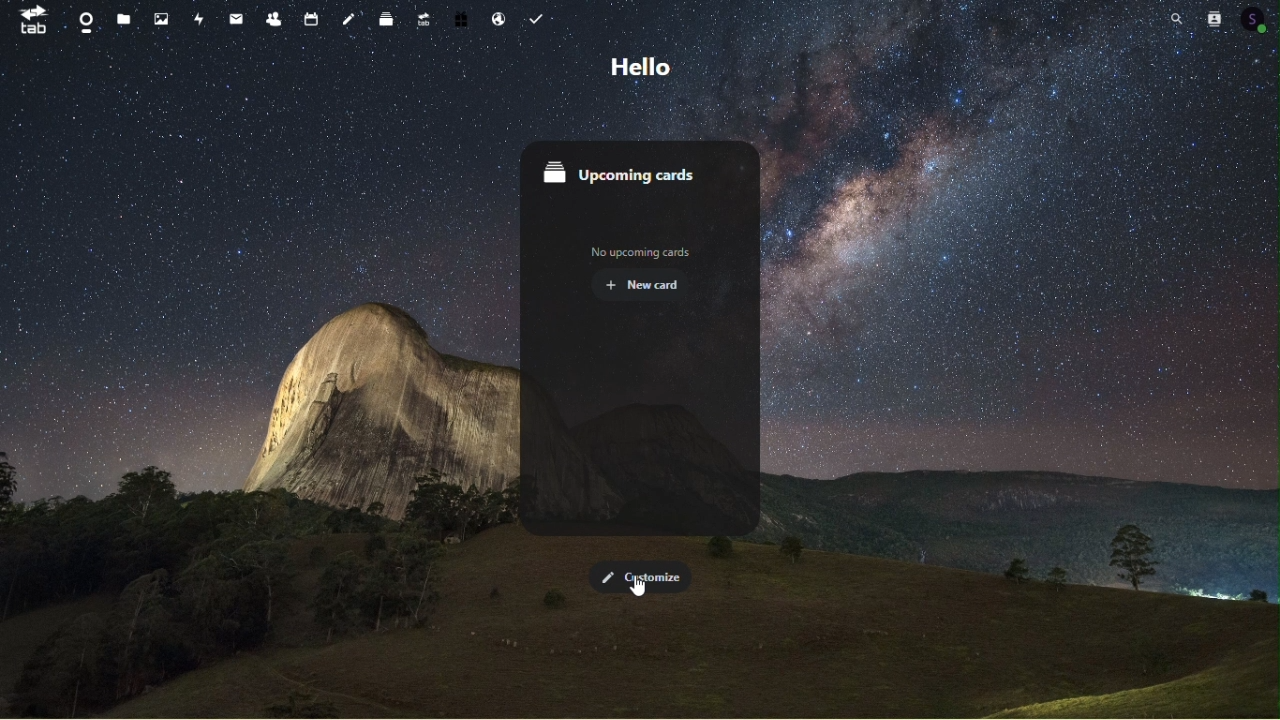 The width and height of the screenshot is (1280, 720). Describe the element at coordinates (541, 18) in the screenshot. I see `tasks` at that location.